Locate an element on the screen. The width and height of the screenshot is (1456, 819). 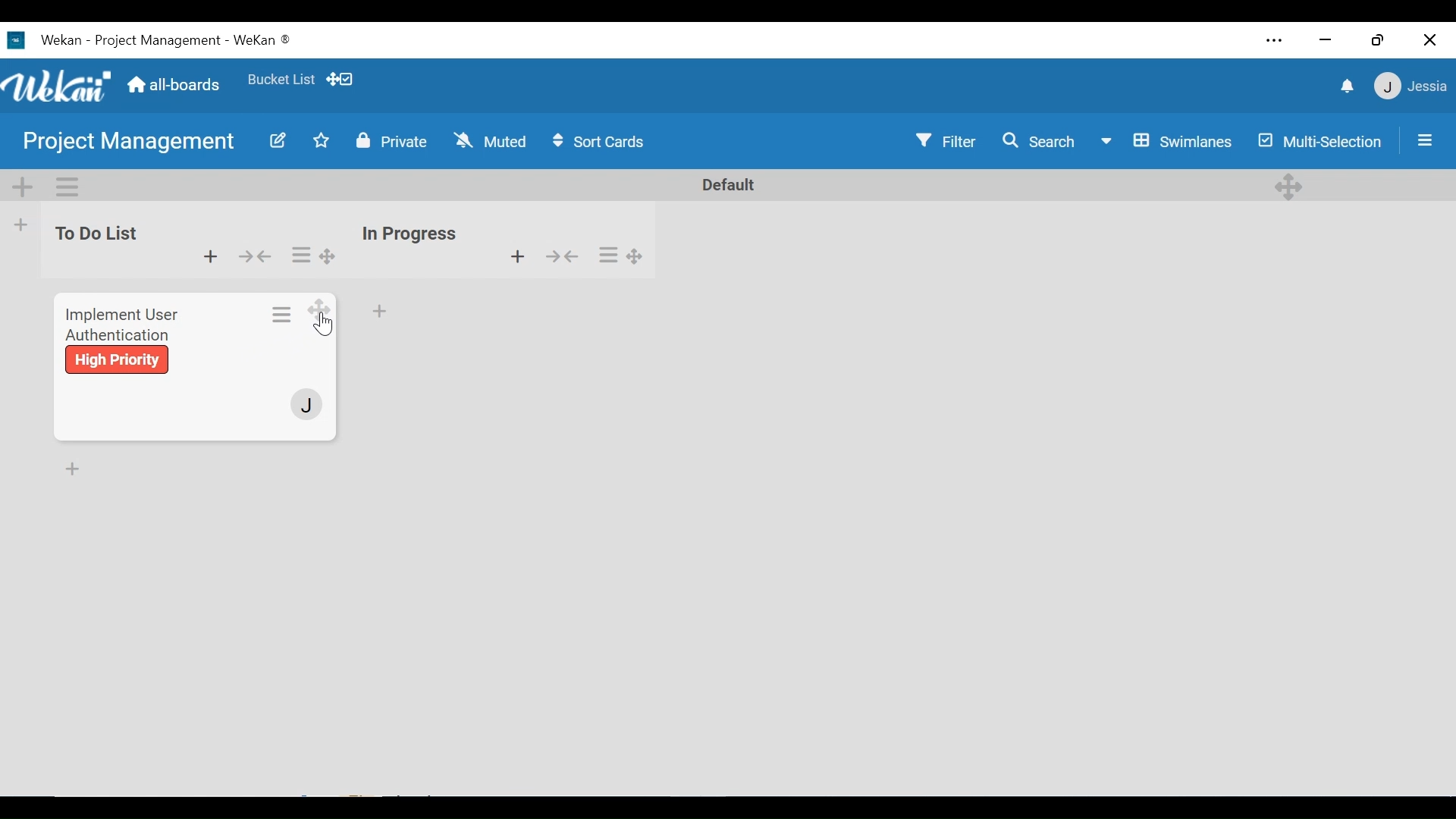
card actions is located at coordinates (284, 312).